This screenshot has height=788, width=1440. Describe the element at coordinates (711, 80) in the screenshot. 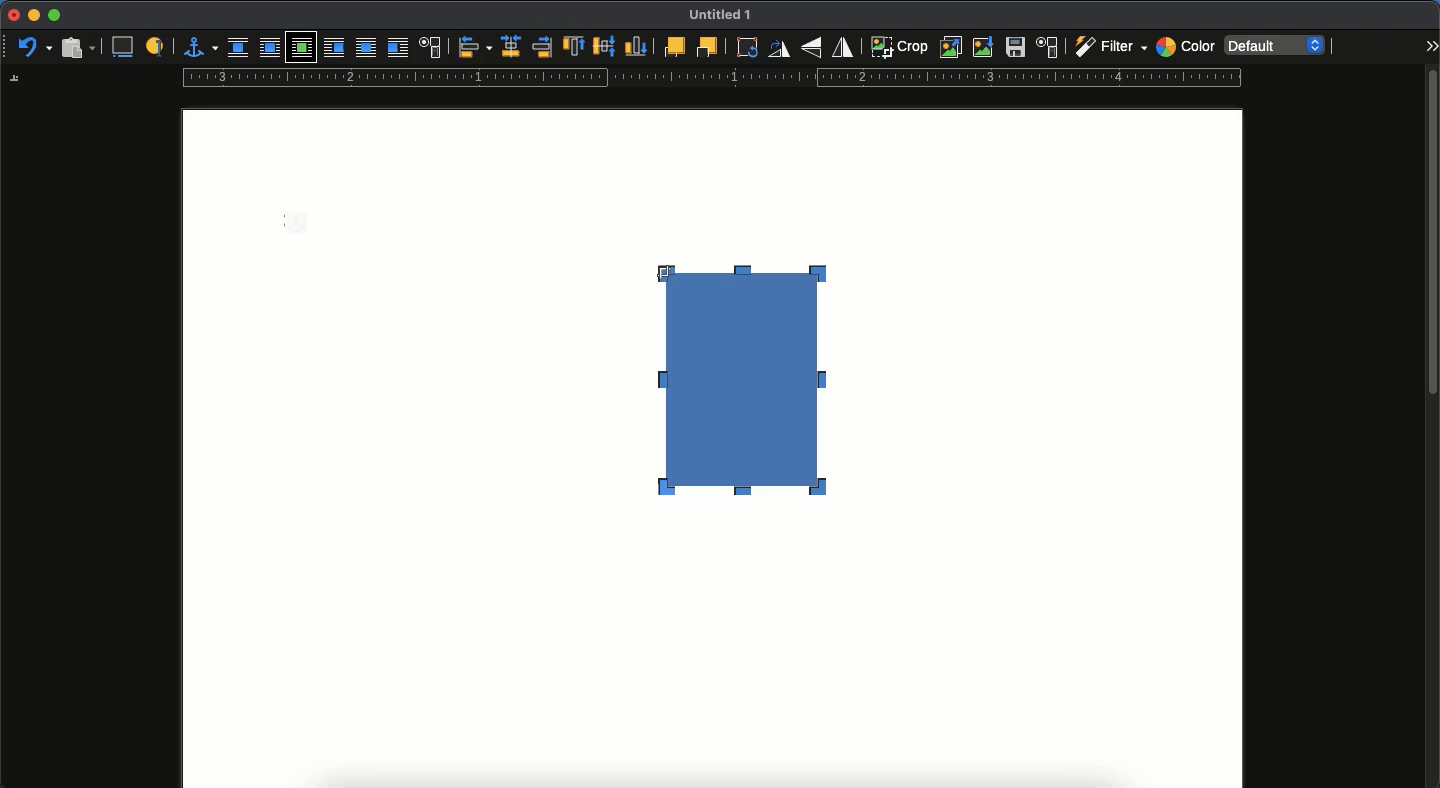

I see `guide` at that location.